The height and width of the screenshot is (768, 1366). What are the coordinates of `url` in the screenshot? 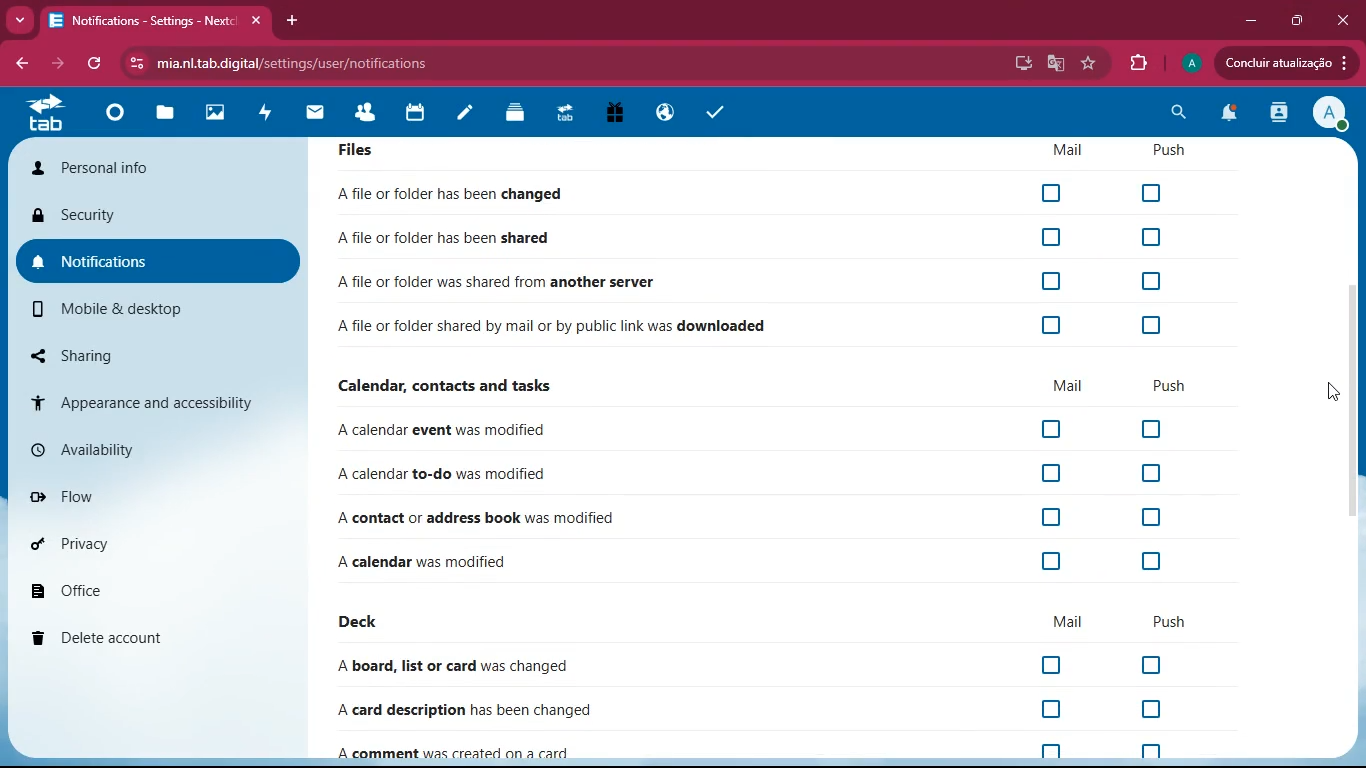 It's located at (336, 63).